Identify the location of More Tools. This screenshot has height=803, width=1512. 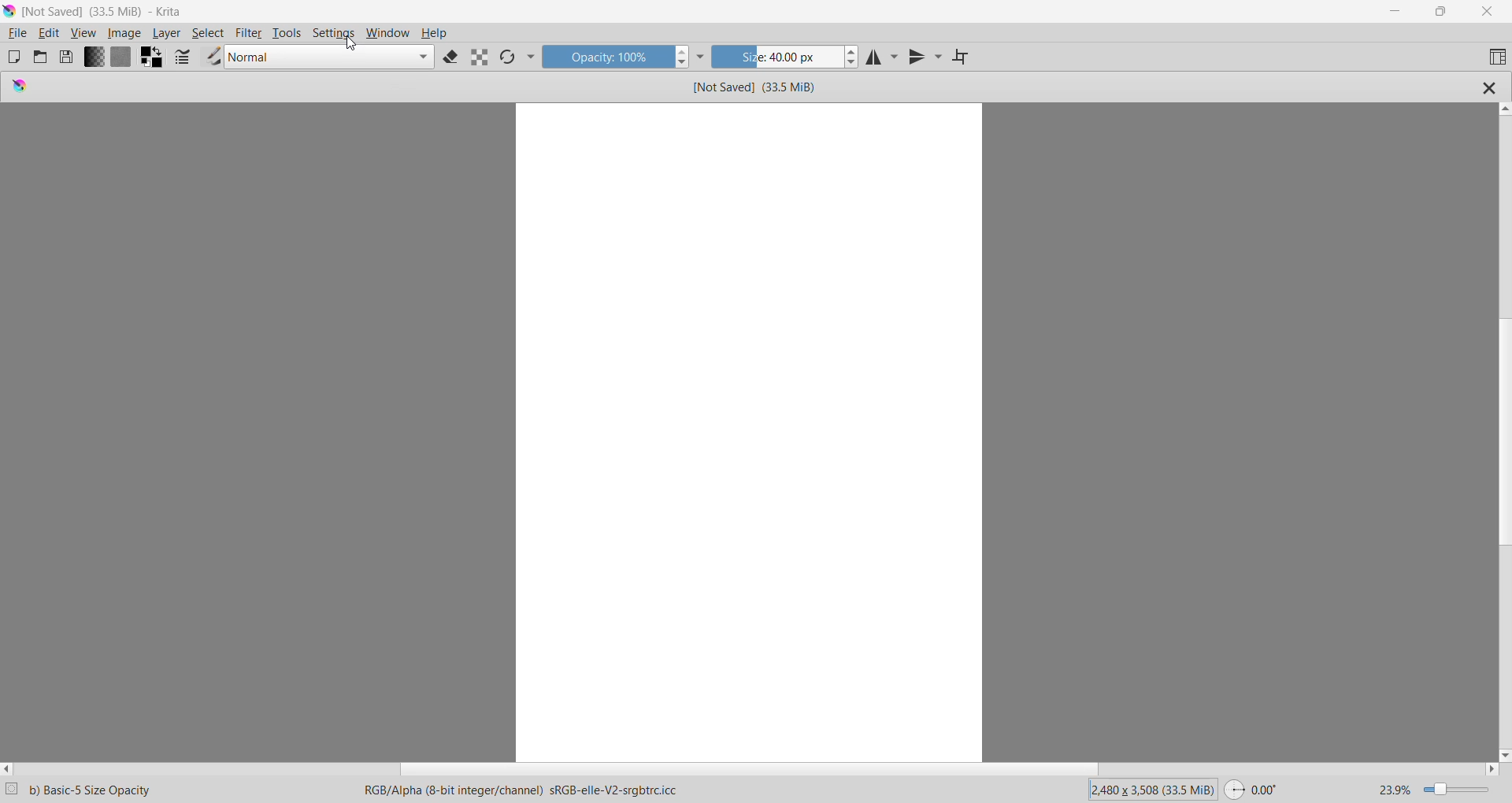
(702, 56).